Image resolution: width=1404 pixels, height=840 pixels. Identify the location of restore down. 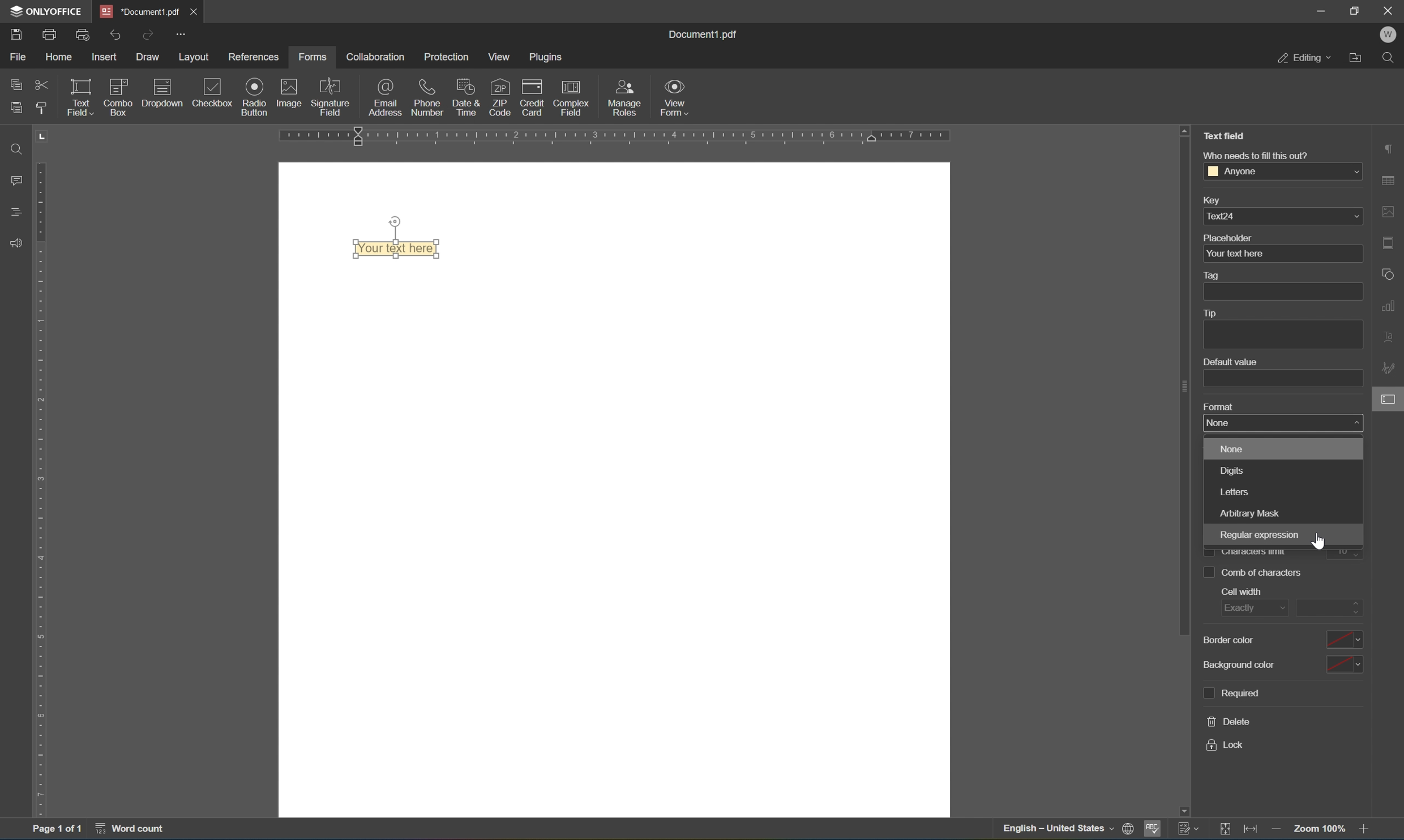
(1356, 10).